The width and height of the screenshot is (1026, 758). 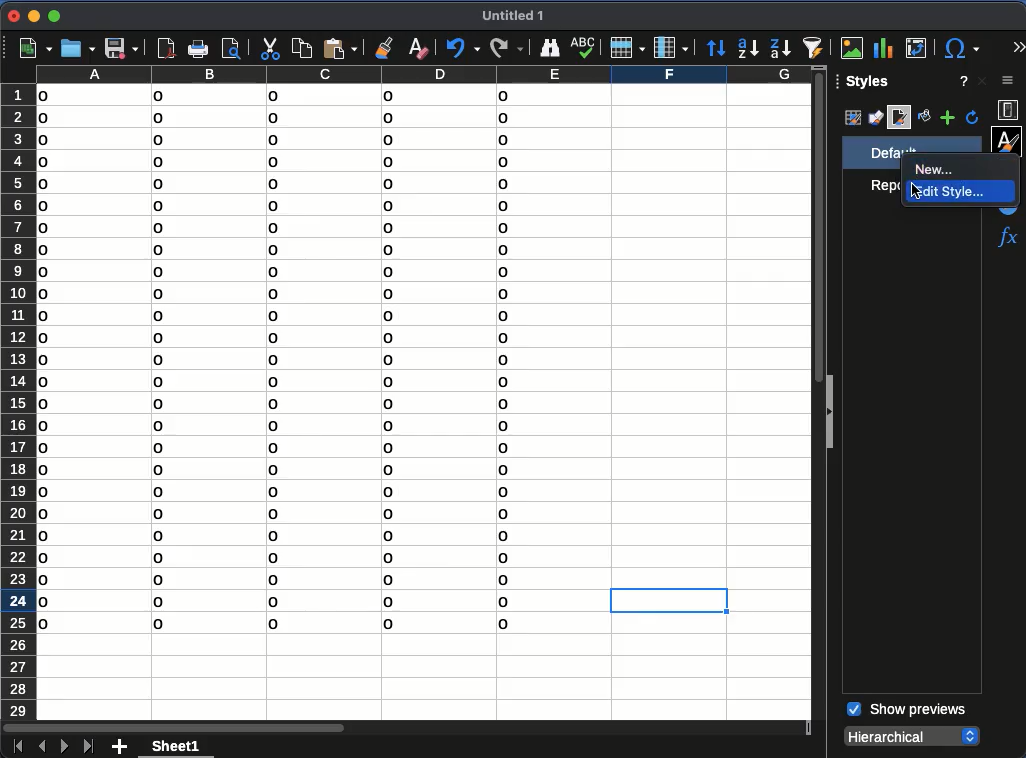 I want to click on report, so click(x=884, y=185).